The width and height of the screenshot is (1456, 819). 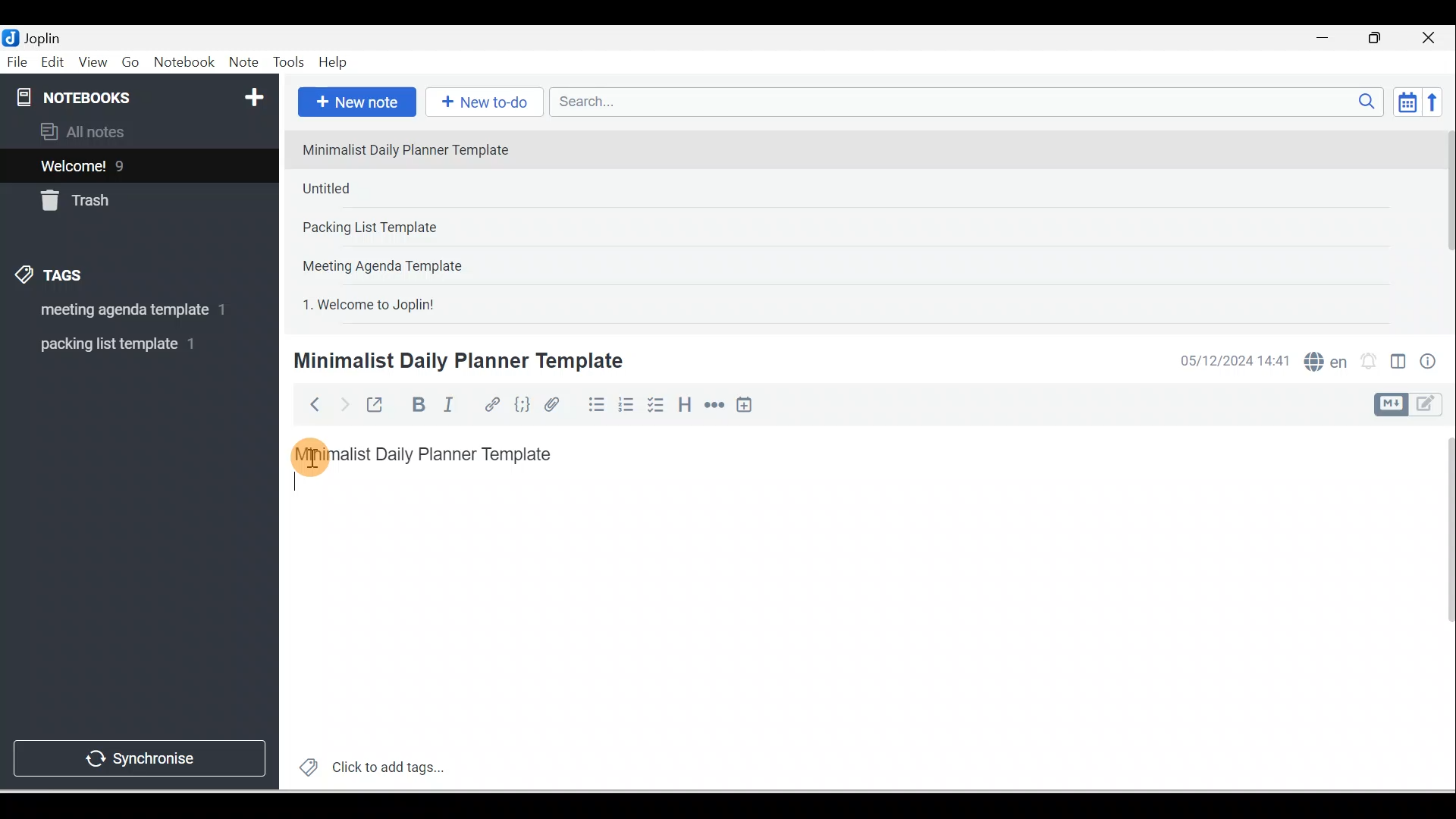 I want to click on Maximise, so click(x=1380, y=39).